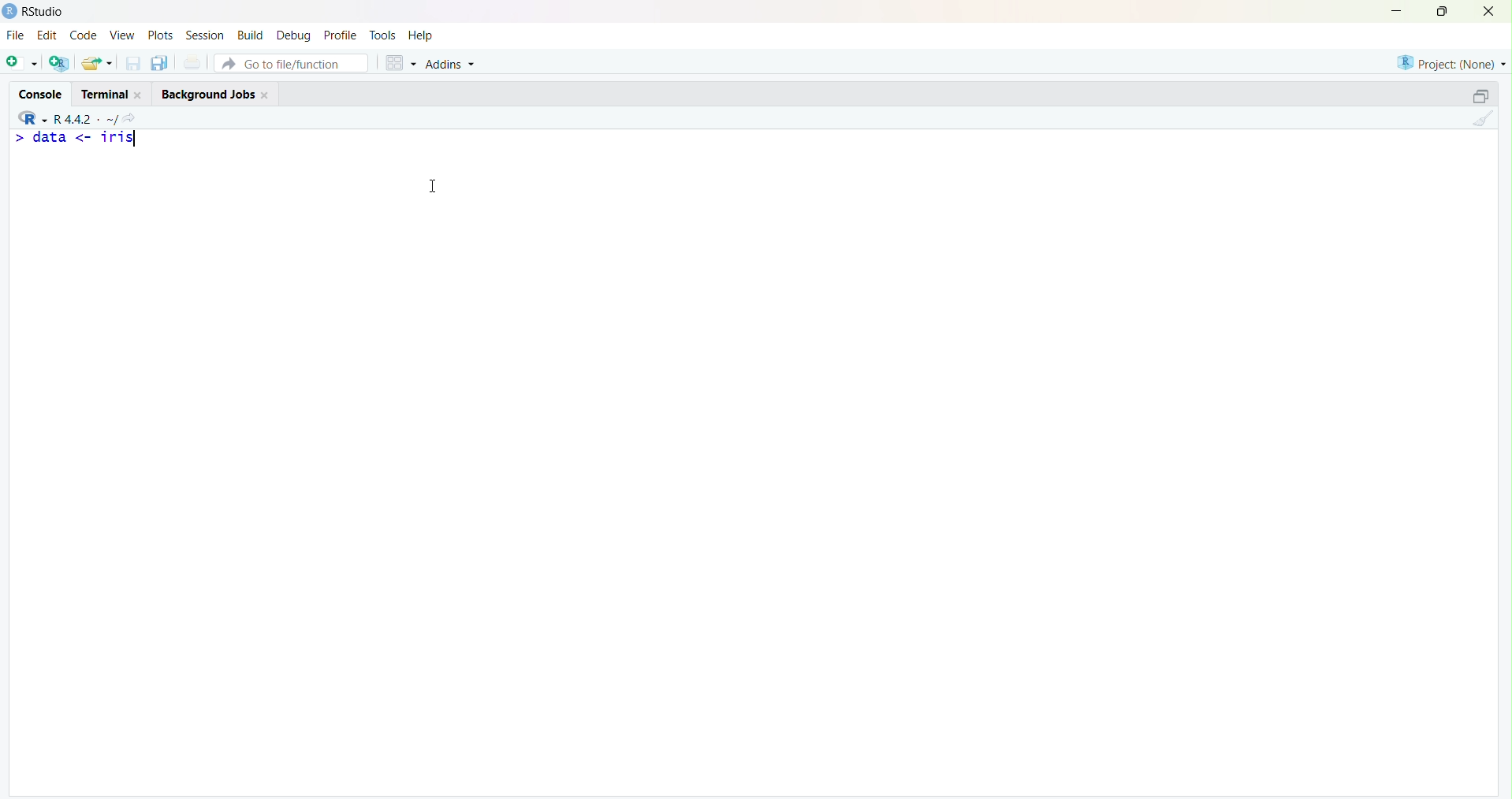  What do you see at coordinates (452, 62) in the screenshot?
I see `Addins` at bounding box center [452, 62].